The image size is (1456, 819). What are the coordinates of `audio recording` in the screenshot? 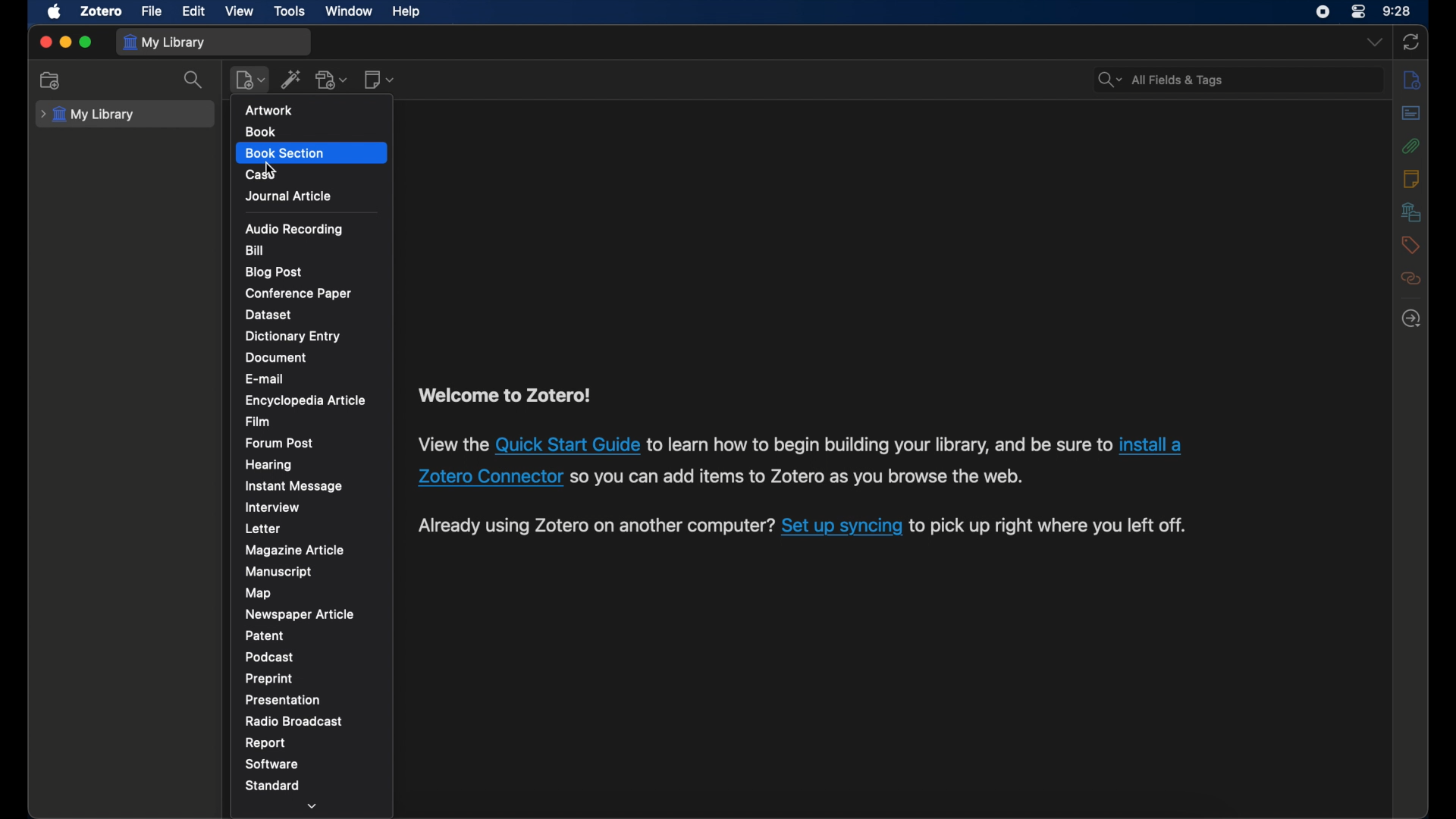 It's located at (296, 229).